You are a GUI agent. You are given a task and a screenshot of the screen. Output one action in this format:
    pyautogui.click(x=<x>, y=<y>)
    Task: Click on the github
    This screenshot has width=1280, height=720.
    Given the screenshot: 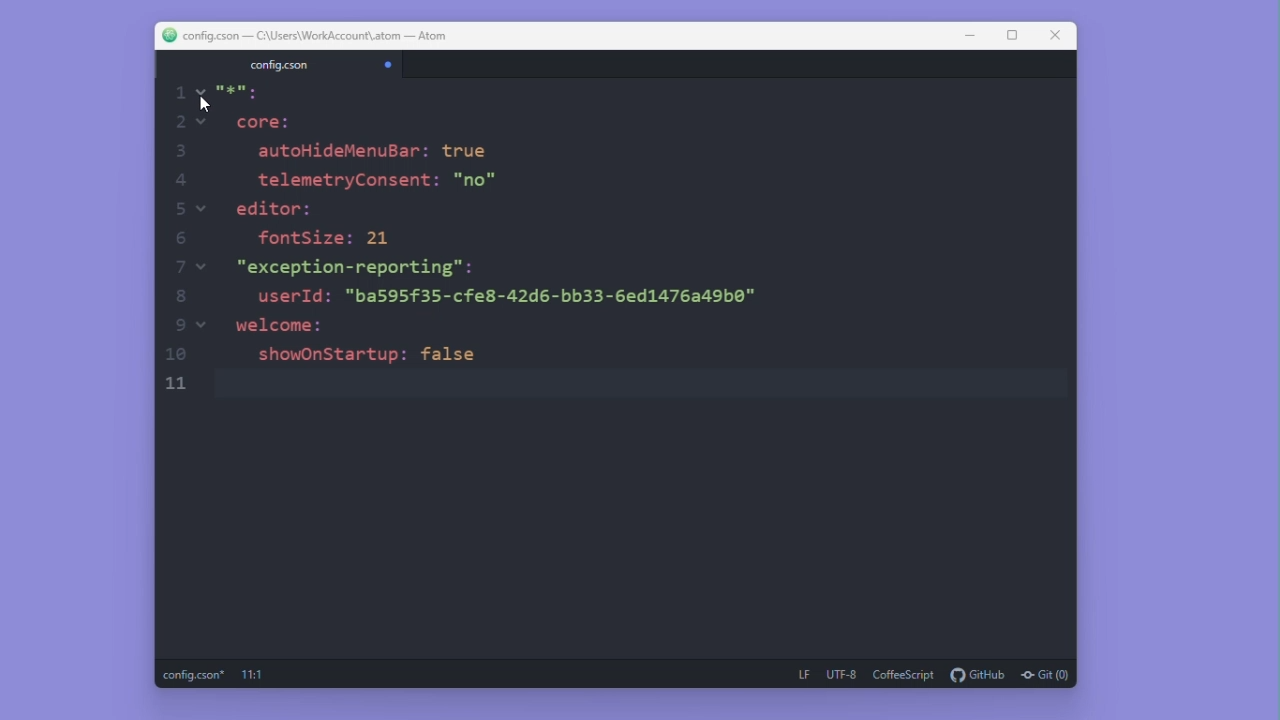 What is the action you would take?
    pyautogui.click(x=977, y=672)
    